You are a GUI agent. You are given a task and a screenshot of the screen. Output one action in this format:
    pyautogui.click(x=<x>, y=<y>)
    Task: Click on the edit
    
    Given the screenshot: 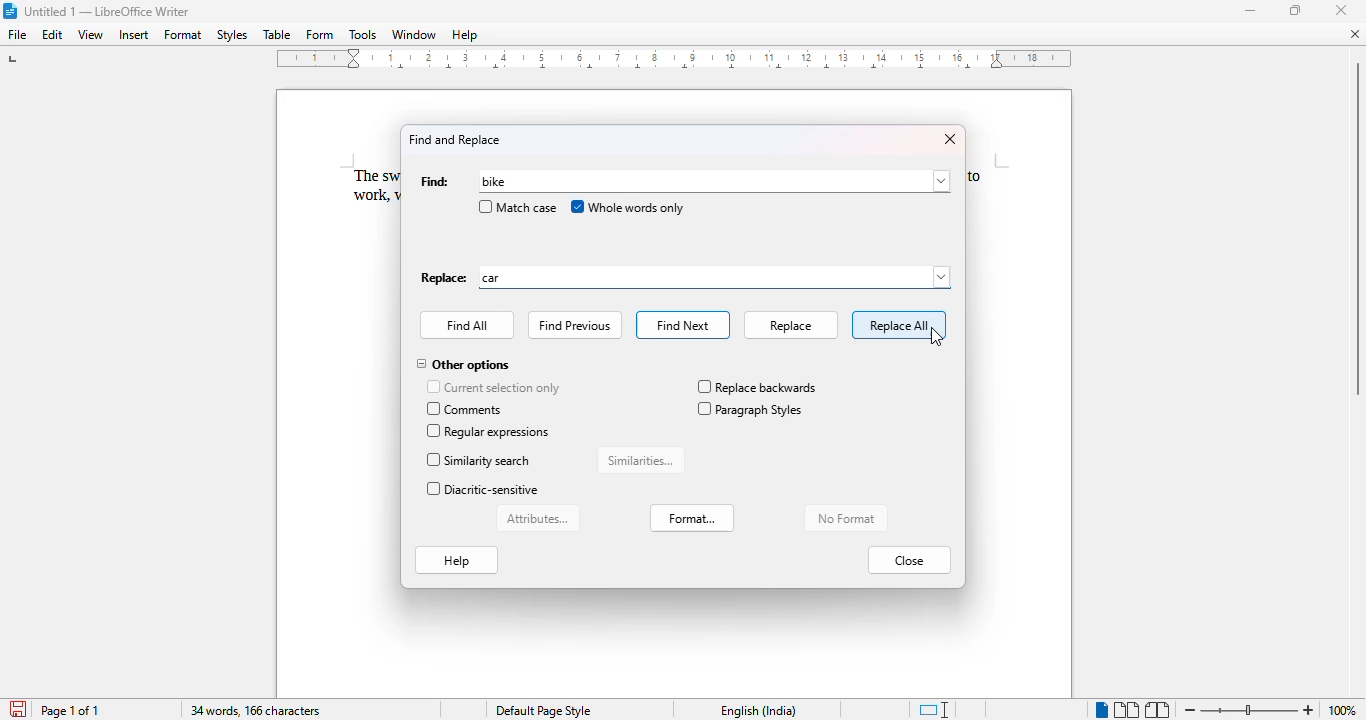 What is the action you would take?
    pyautogui.click(x=53, y=34)
    